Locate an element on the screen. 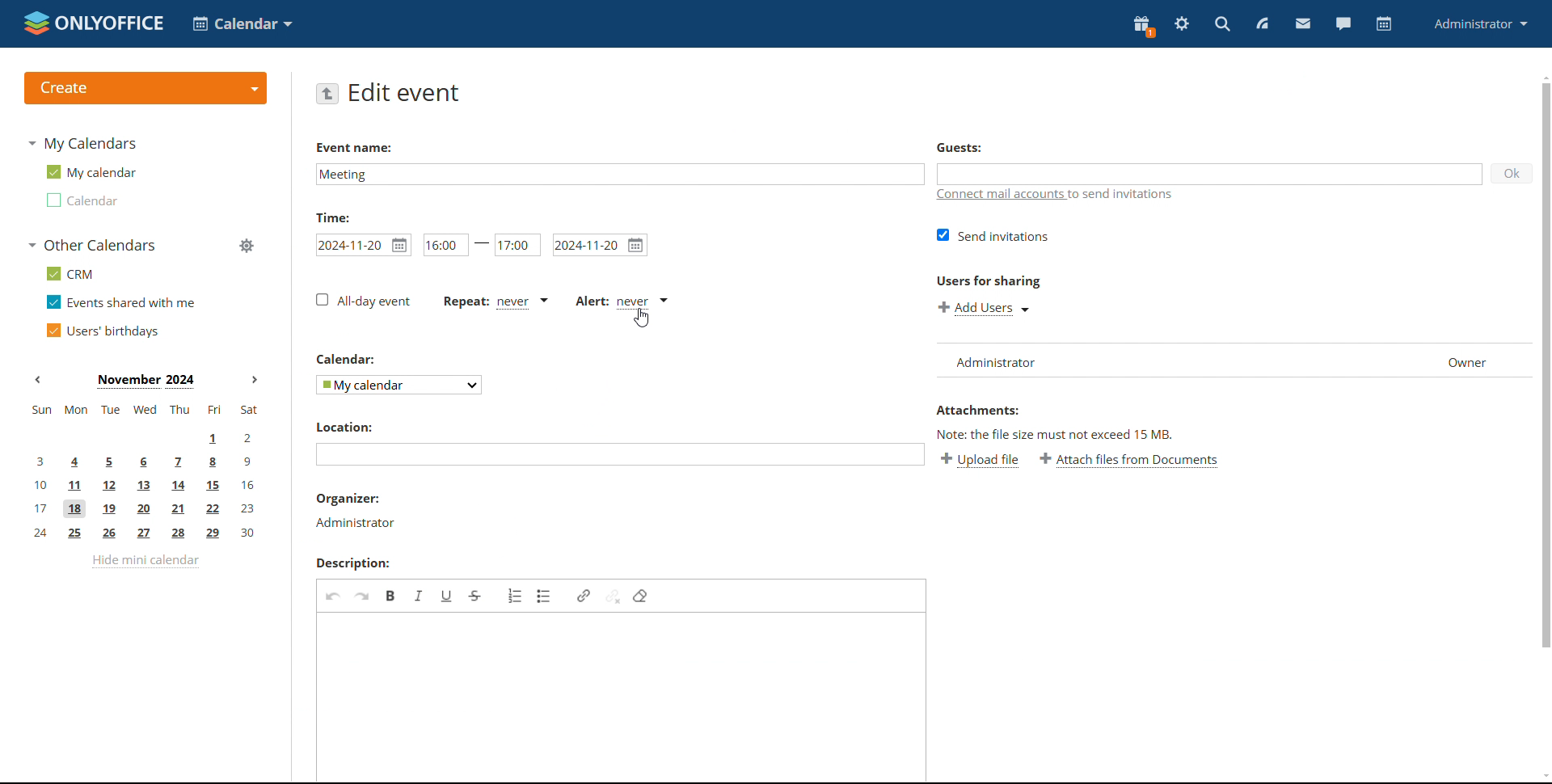 Image resolution: width=1552 pixels, height=784 pixels. guests is located at coordinates (959, 149).